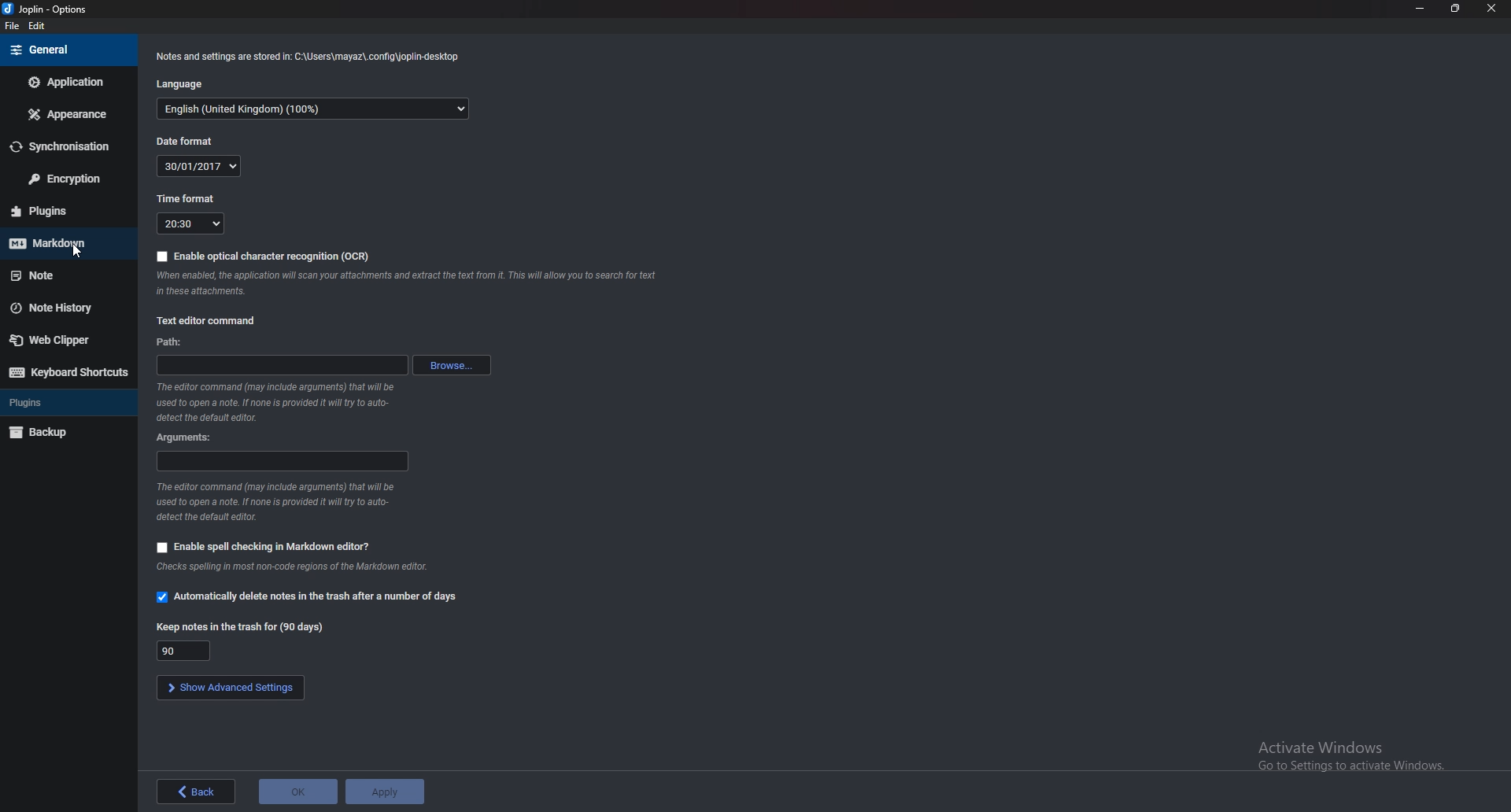 This screenshot has width=1511, height=812. What do you see at coordinates (275, 502) in the screenshot?
I see `Info` at bounding box center [275, 502].